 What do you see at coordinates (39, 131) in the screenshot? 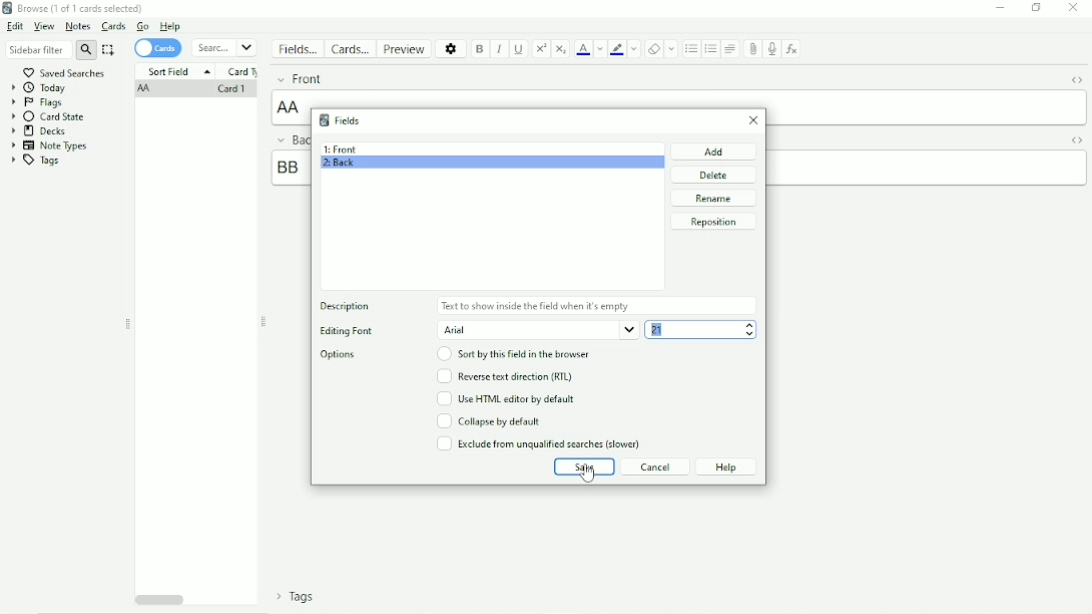
I see `Decks` at bounding box center [39, 131].